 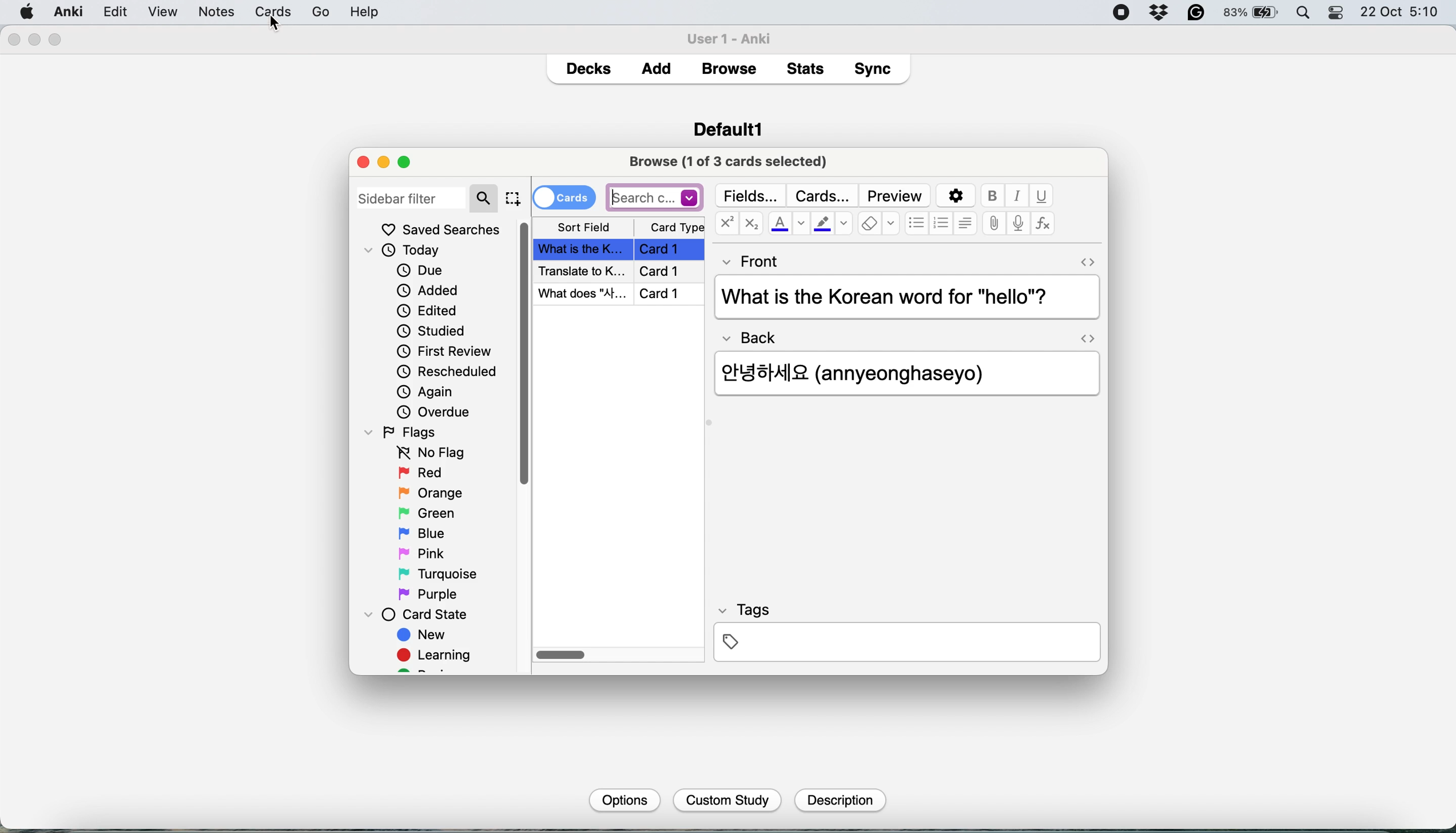 I want to click on Add, so click(x=657, y=65).